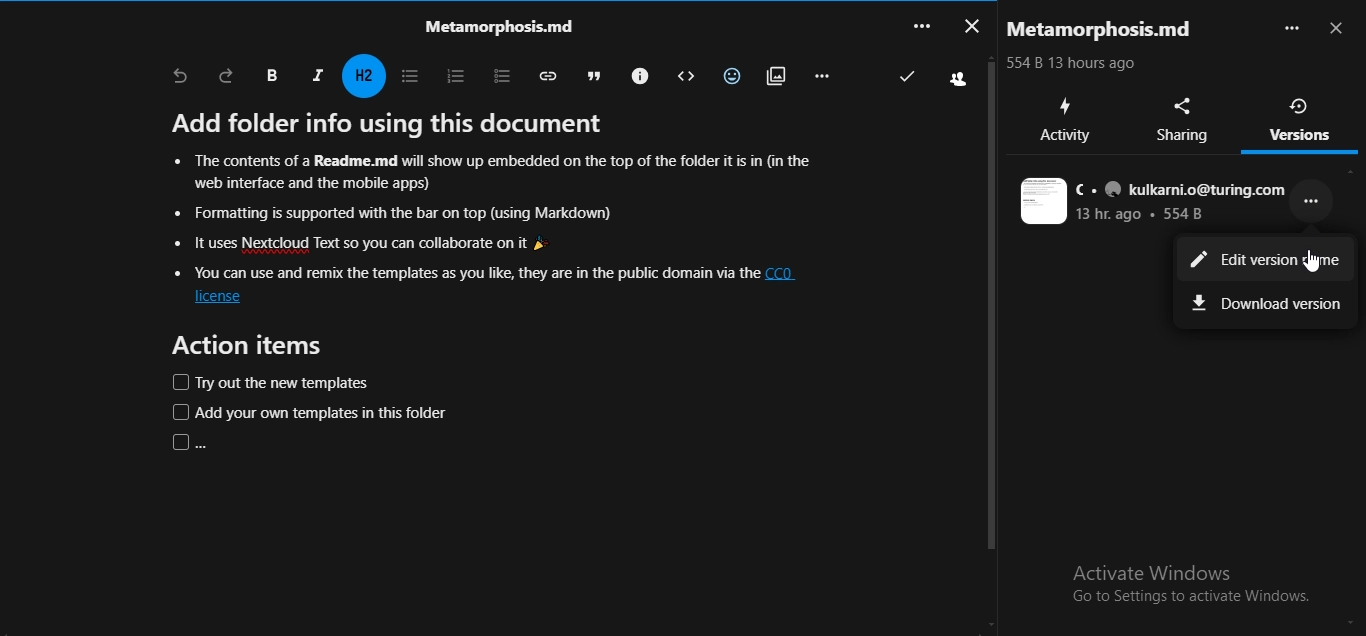  What do you see at coordinates (451, 74) in the screenshot?
I see `ordered list` at bounding box center [451, 74].